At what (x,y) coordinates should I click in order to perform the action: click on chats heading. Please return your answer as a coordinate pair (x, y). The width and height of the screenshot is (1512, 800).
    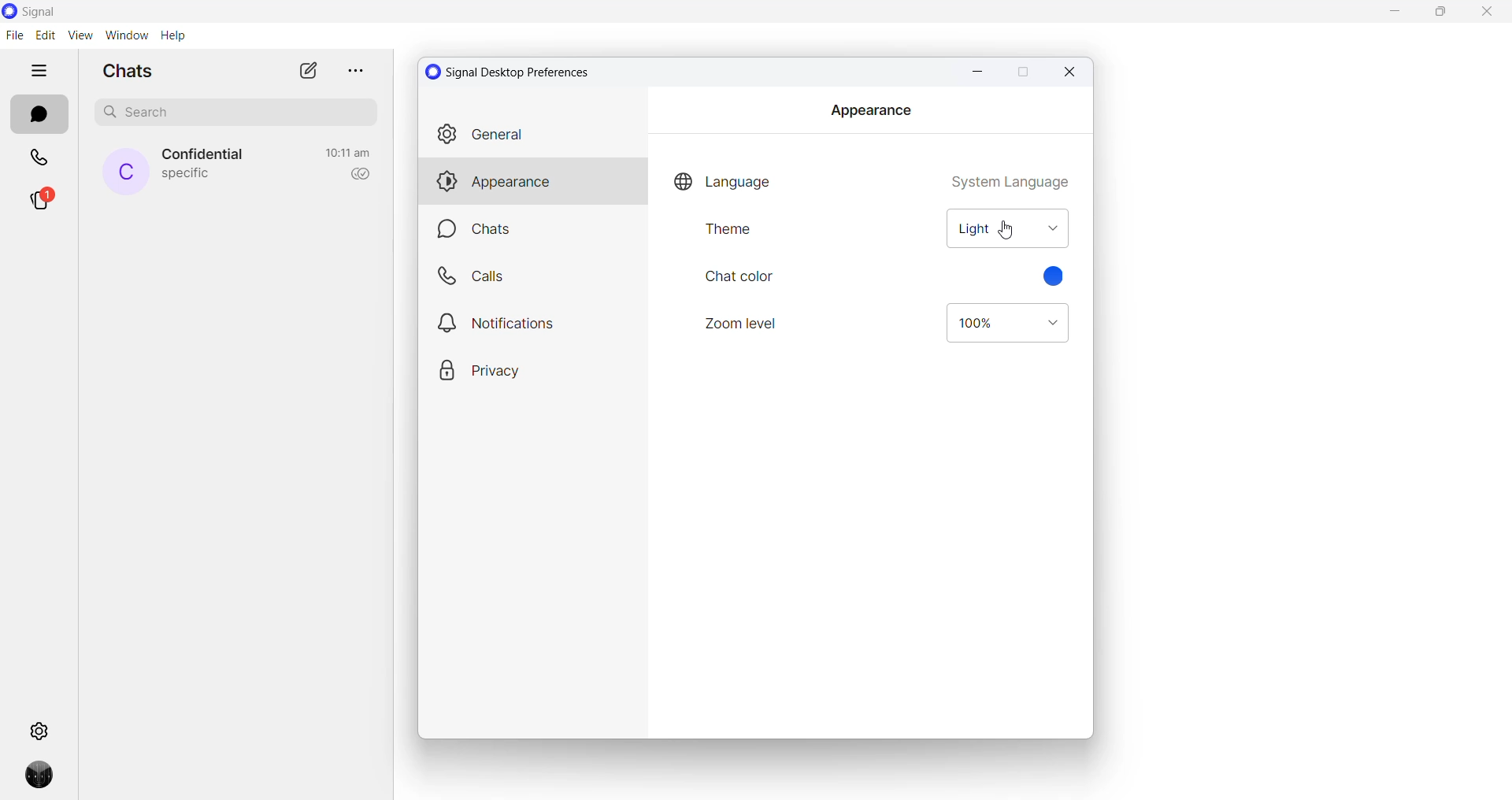
    Looking at the image, I should click on (133, 70).